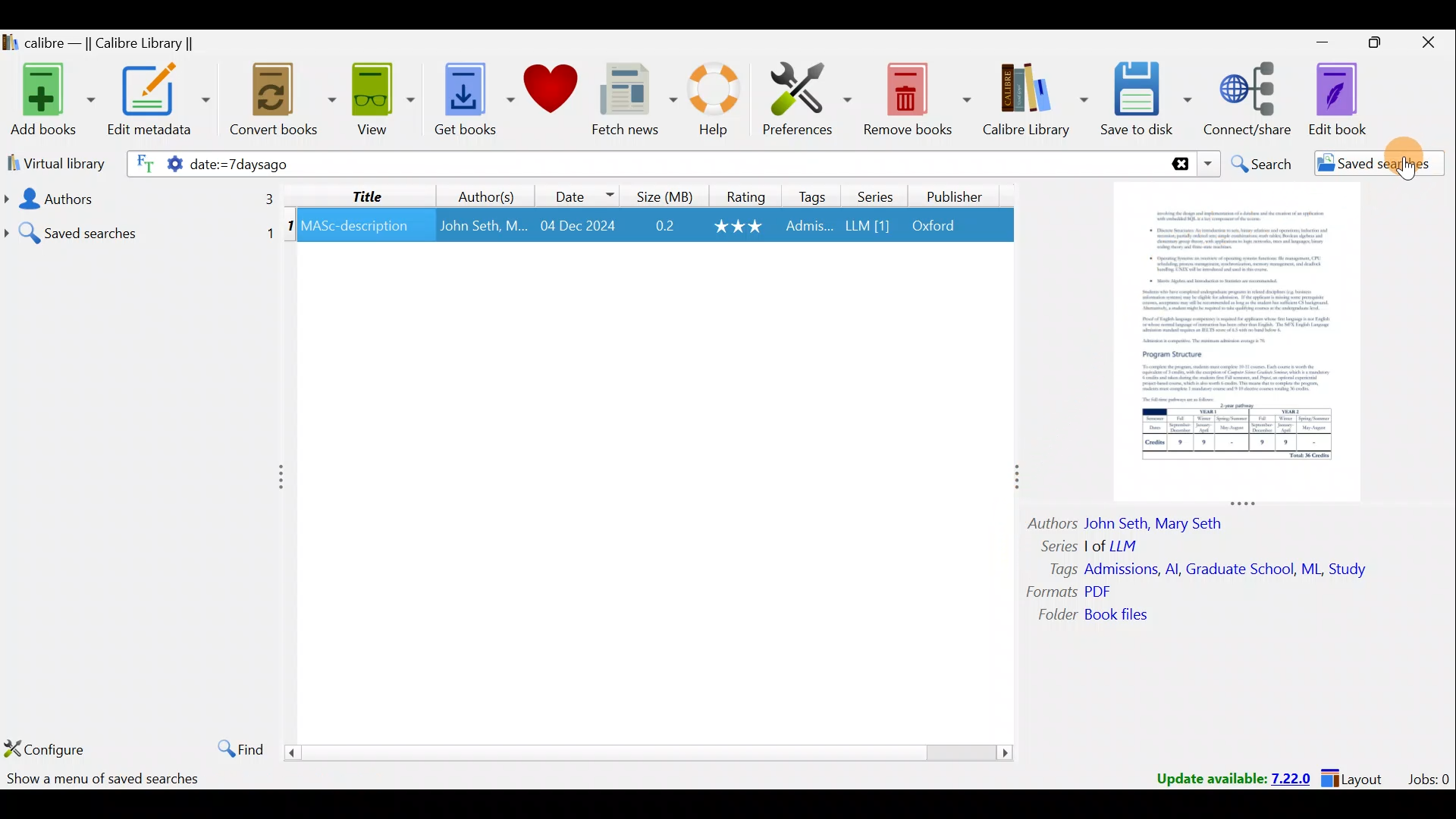 This screenshot has width=1456, height=819. What do you see at coordinates (1368, 45) in the screenshot?
I see `Maximize` at bounding box center [1368, 45].